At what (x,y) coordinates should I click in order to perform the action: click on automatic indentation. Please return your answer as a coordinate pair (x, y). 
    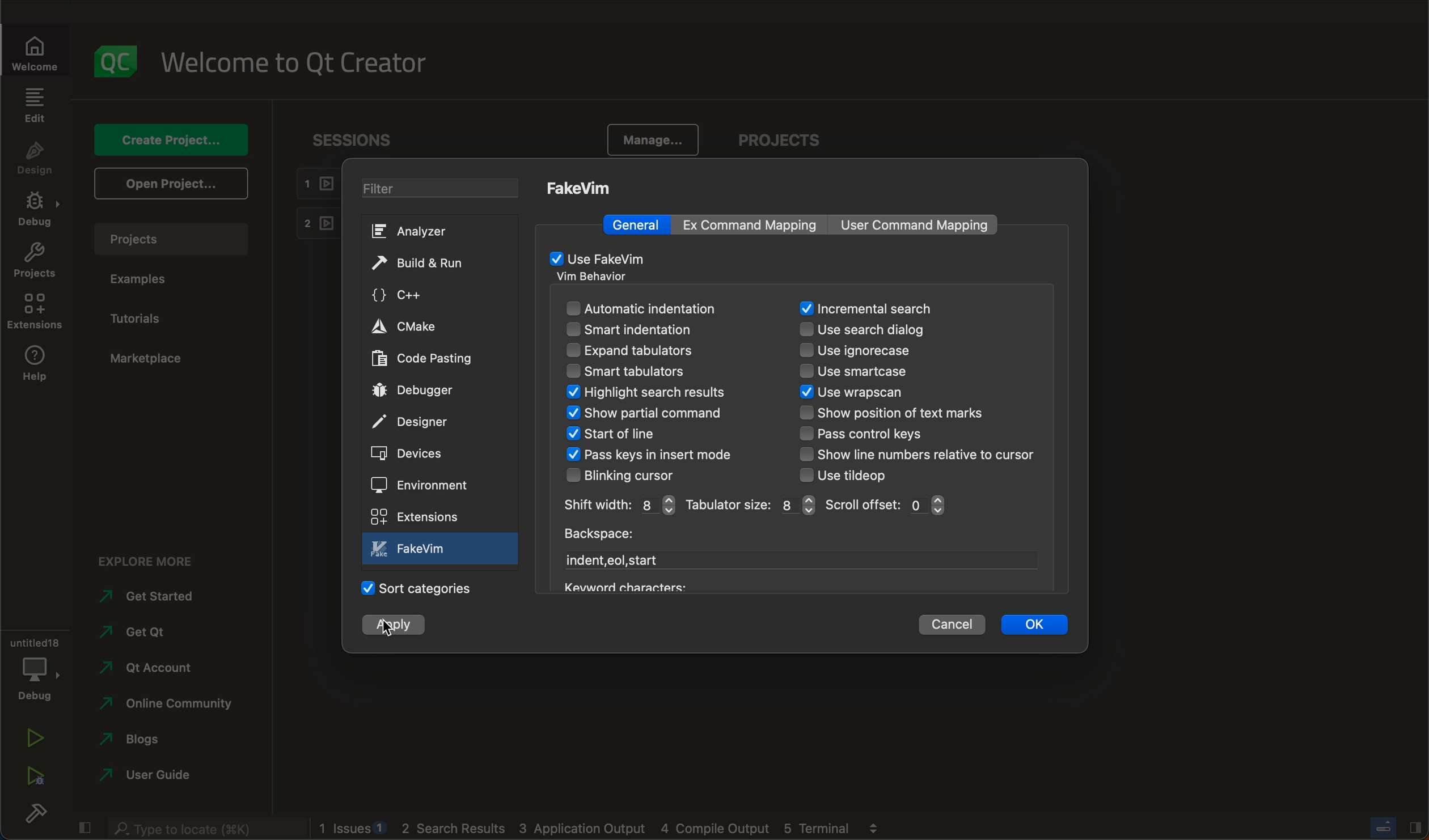
    Looking at the image, I should click on (660, 309).